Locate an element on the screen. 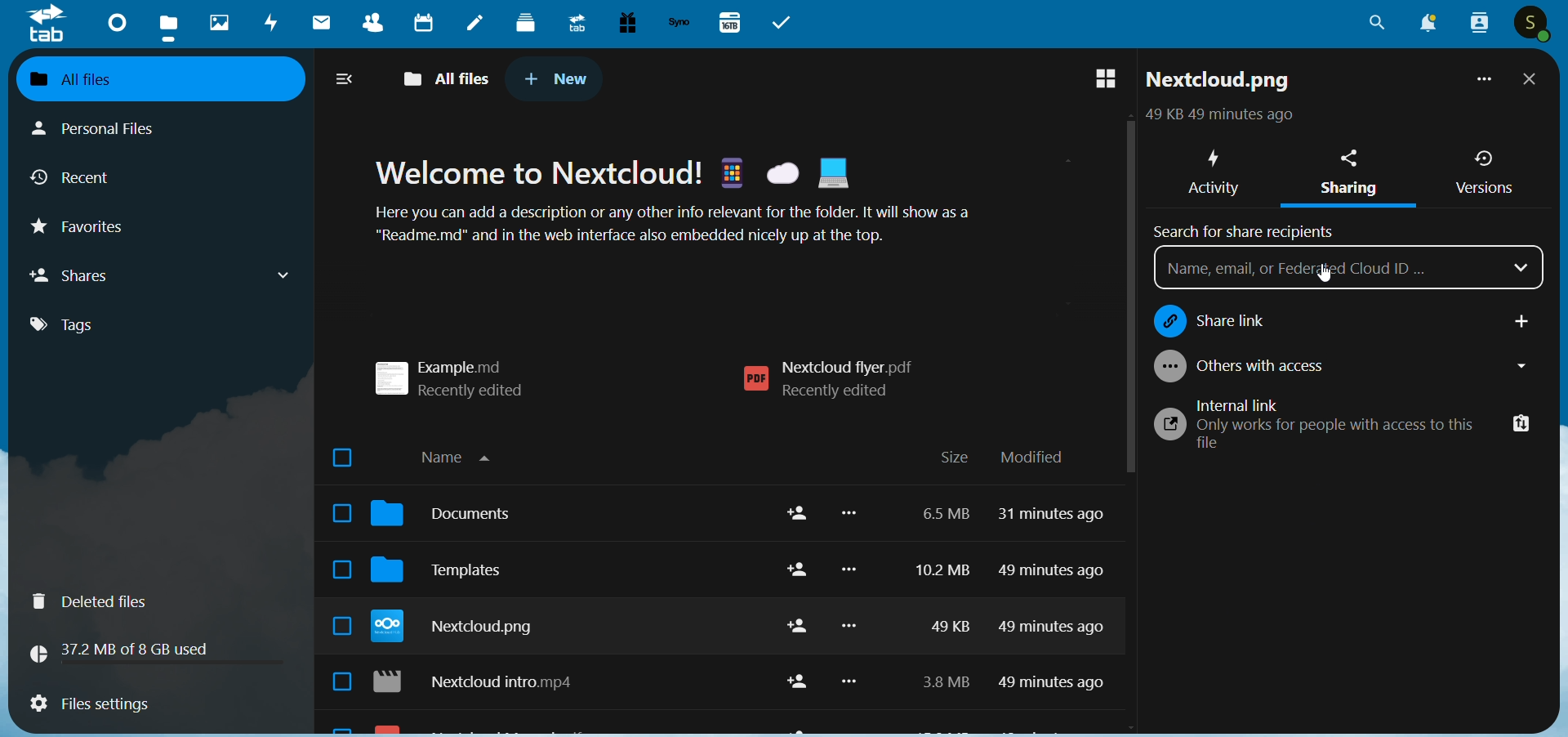  welcome text is located at coordinates (696, 205).